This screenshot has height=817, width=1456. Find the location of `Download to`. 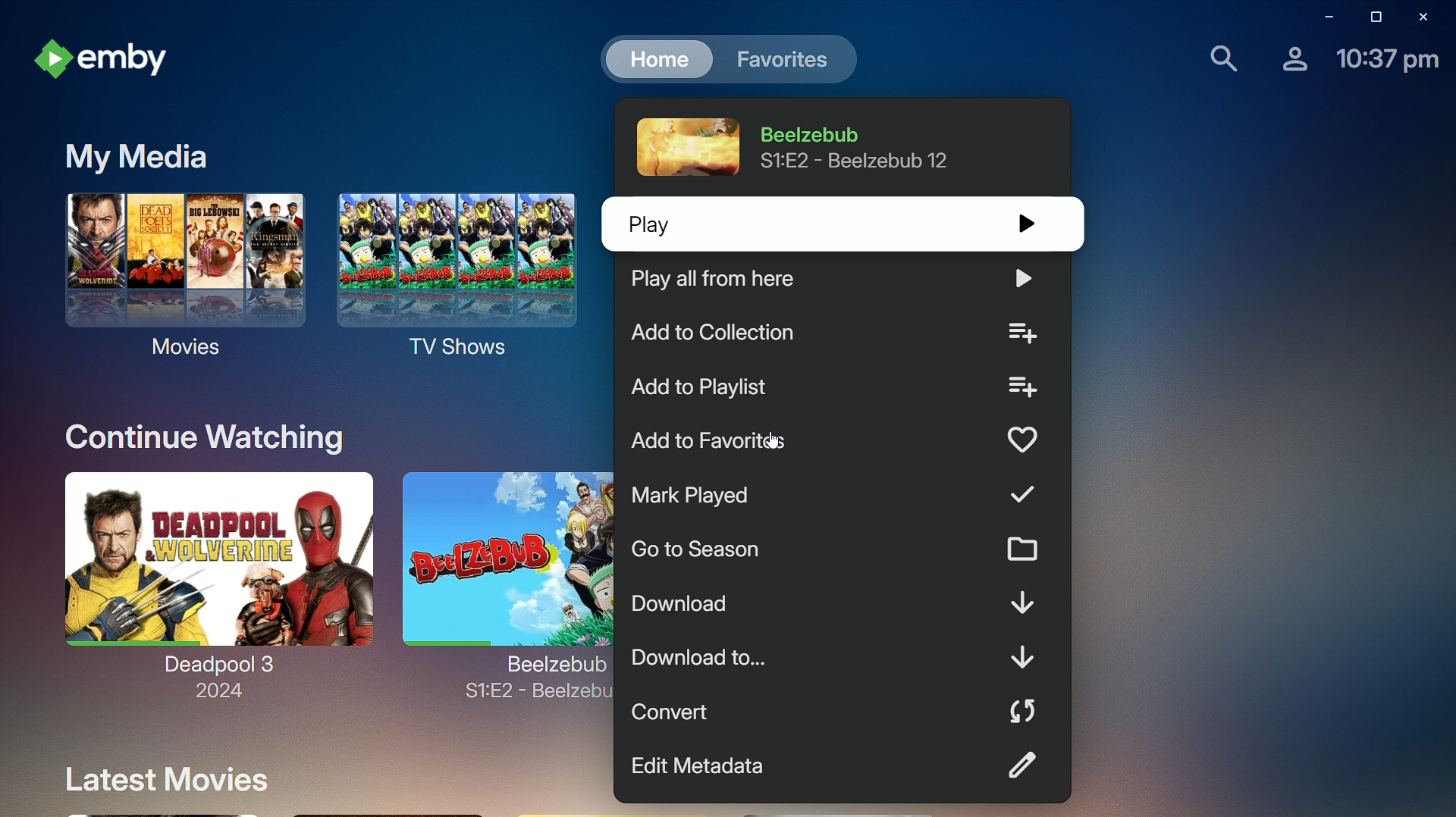

Download to is located at coordinates (837, 656).